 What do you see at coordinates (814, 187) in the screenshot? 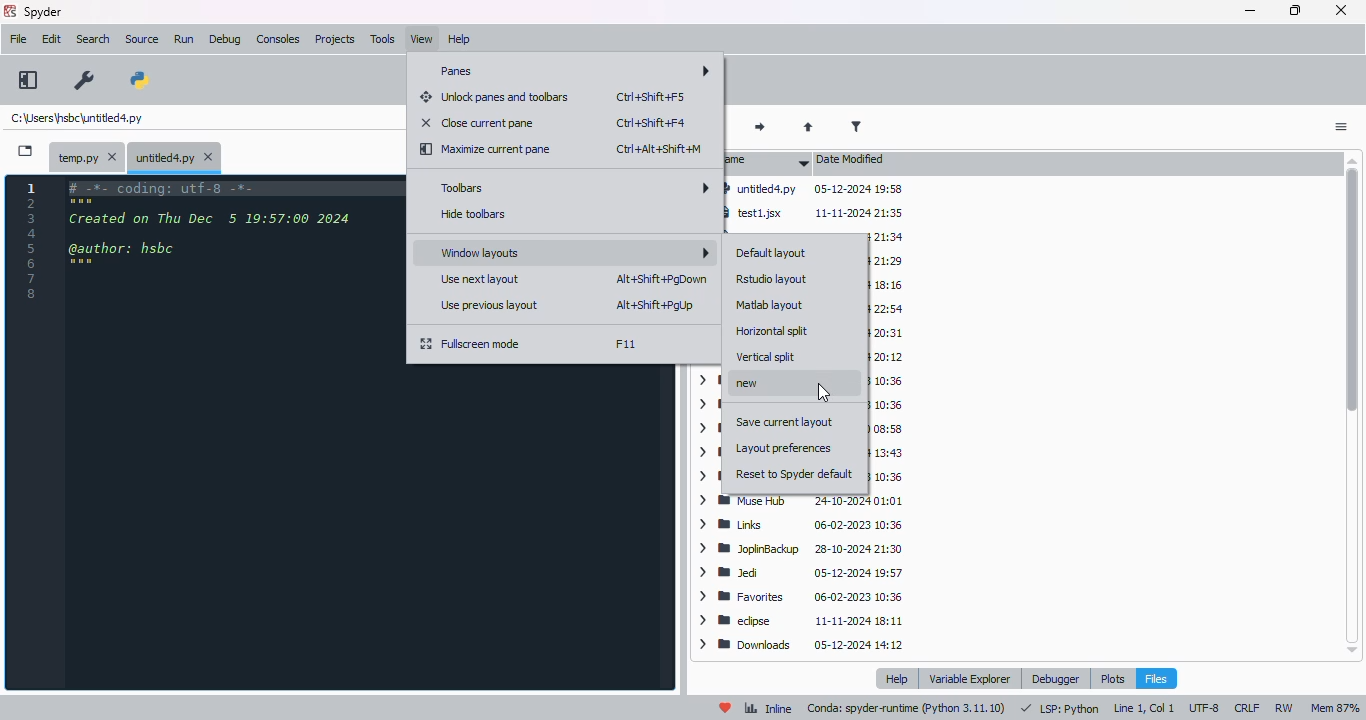
I see `untitled4.py` at bounding box center [814, 187].